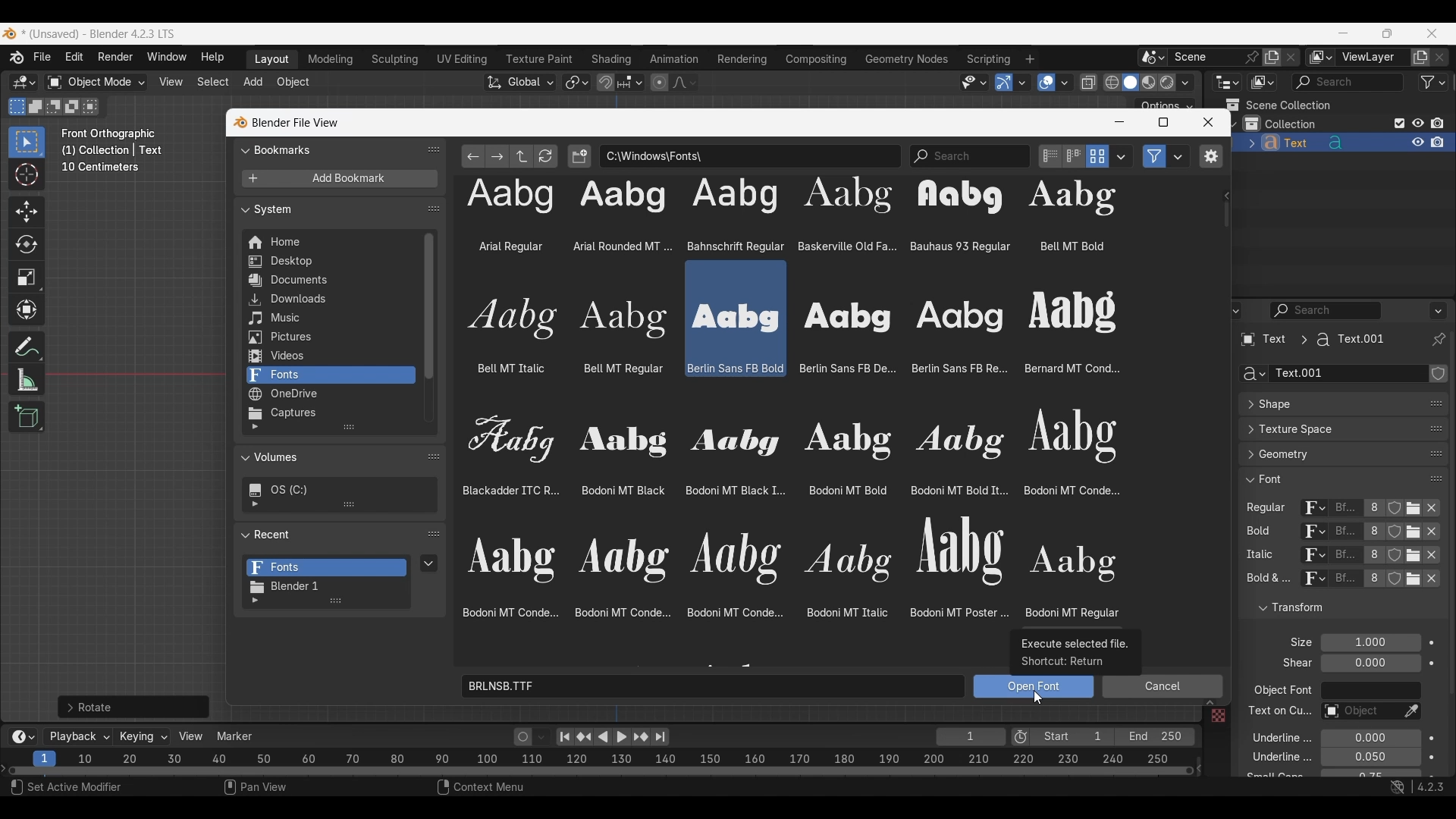  What do you see at coordinates (167, 58) in the screenshot?
I see `Window menu` at bounding box center [167, 58].